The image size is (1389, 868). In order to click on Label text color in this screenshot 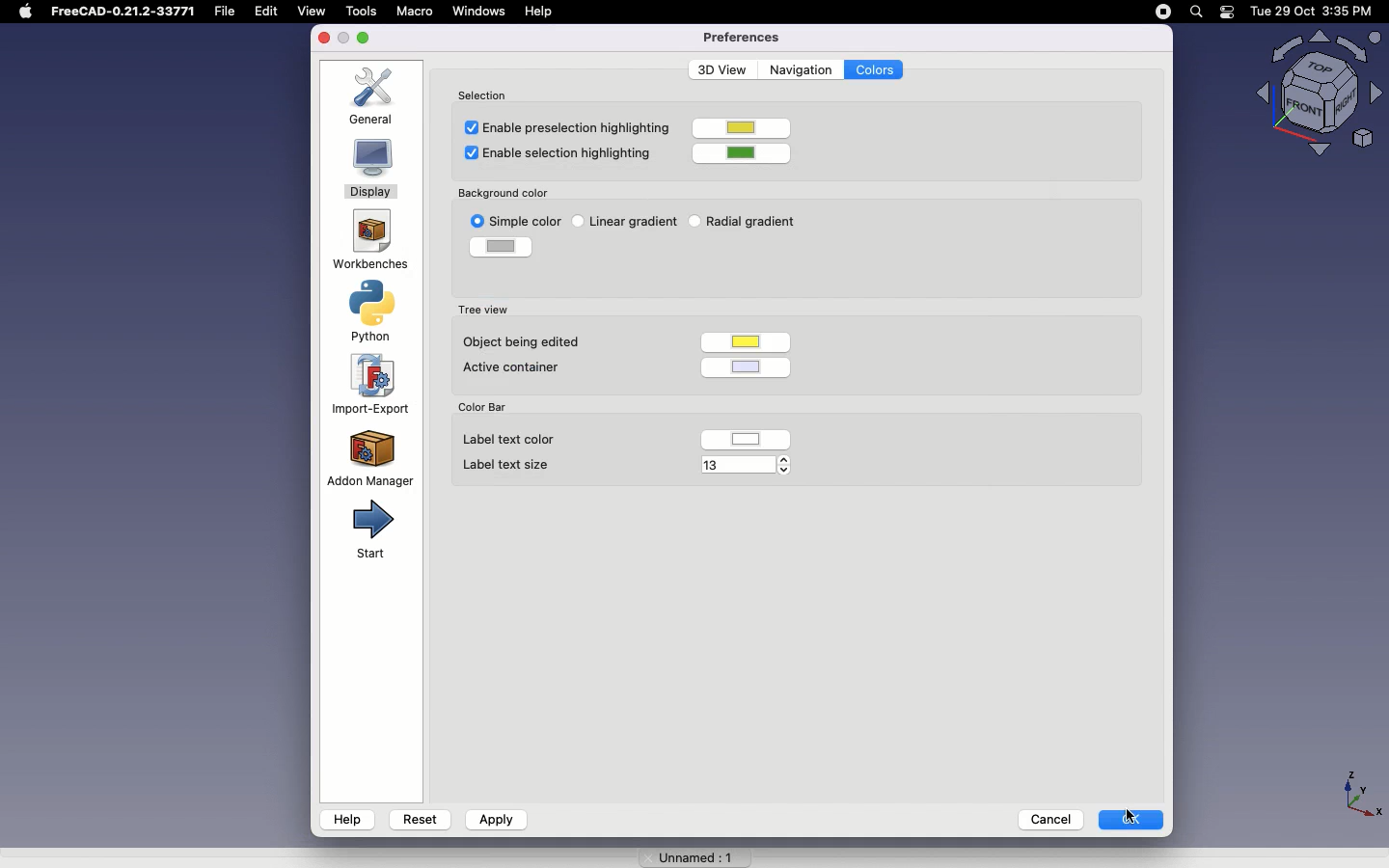, I will do `click(510, 441)`.